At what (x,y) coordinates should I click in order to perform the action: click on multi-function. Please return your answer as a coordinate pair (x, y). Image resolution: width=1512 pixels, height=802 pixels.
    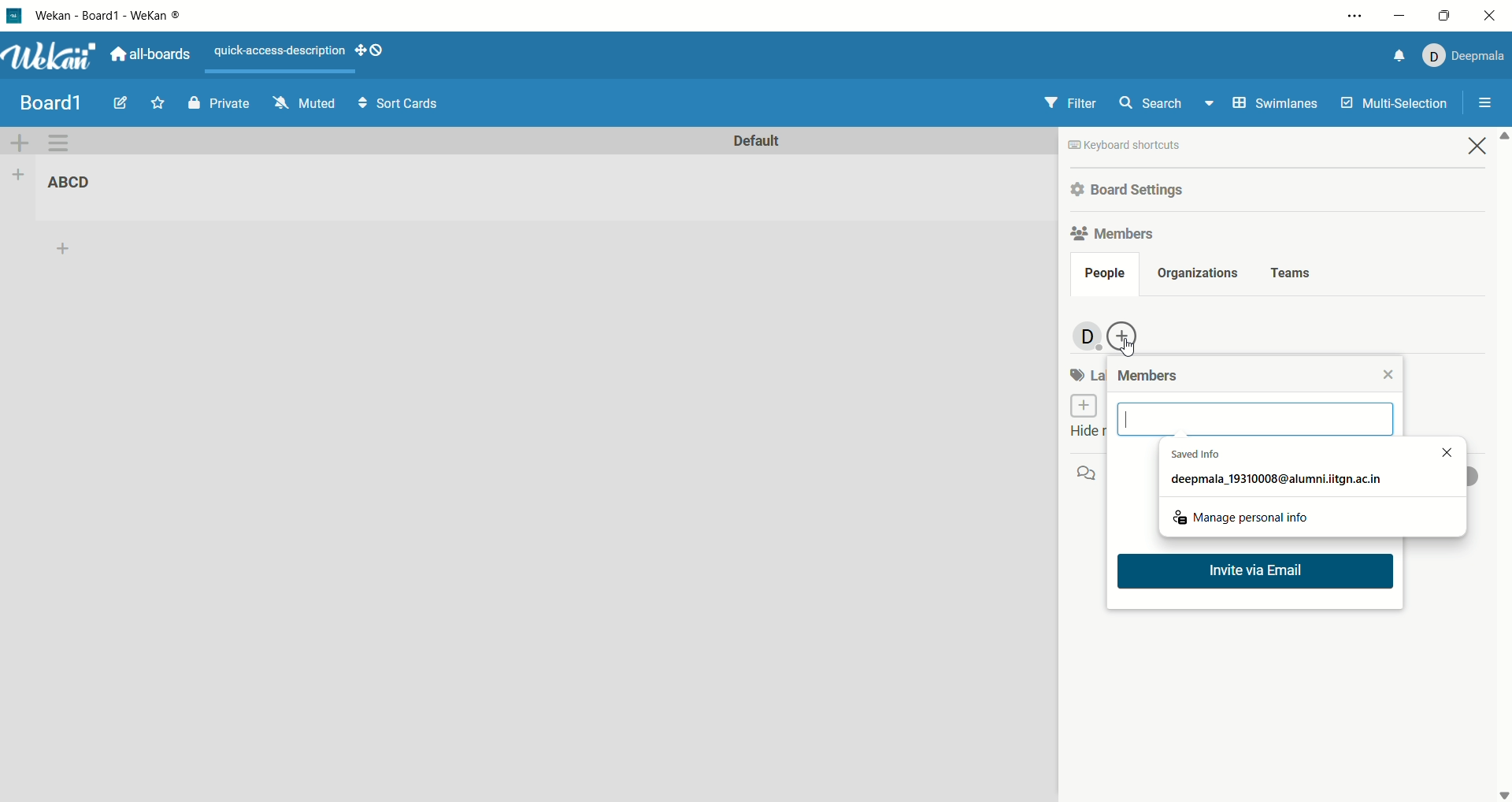
    Looking at the image, I should click on (1392, 107).